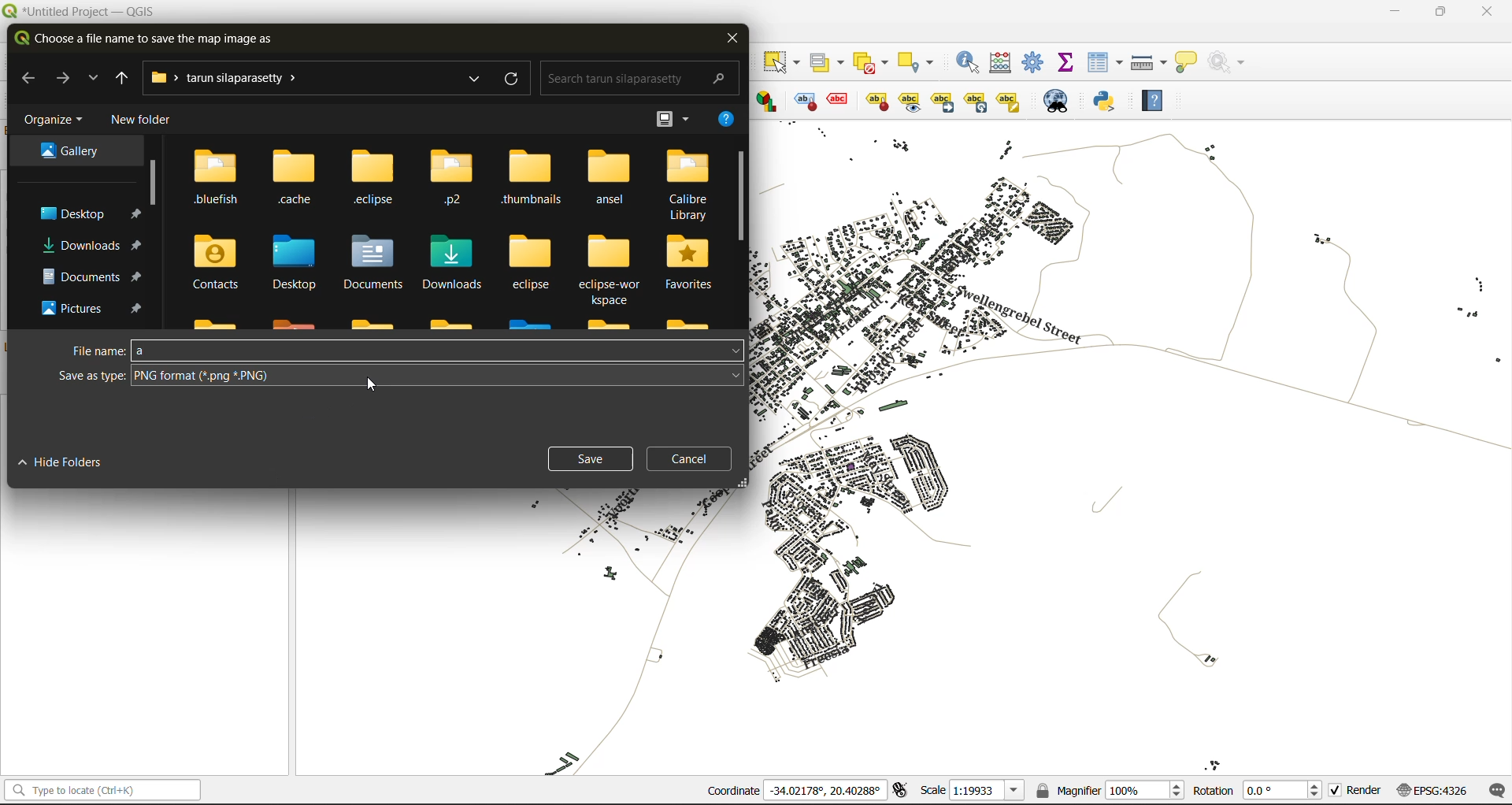 Image resolution: width=1512 pixels, height=805 pixels. Describe the element at coordinates (1003, 63) in the screenshot. I see `calculator` at that location.